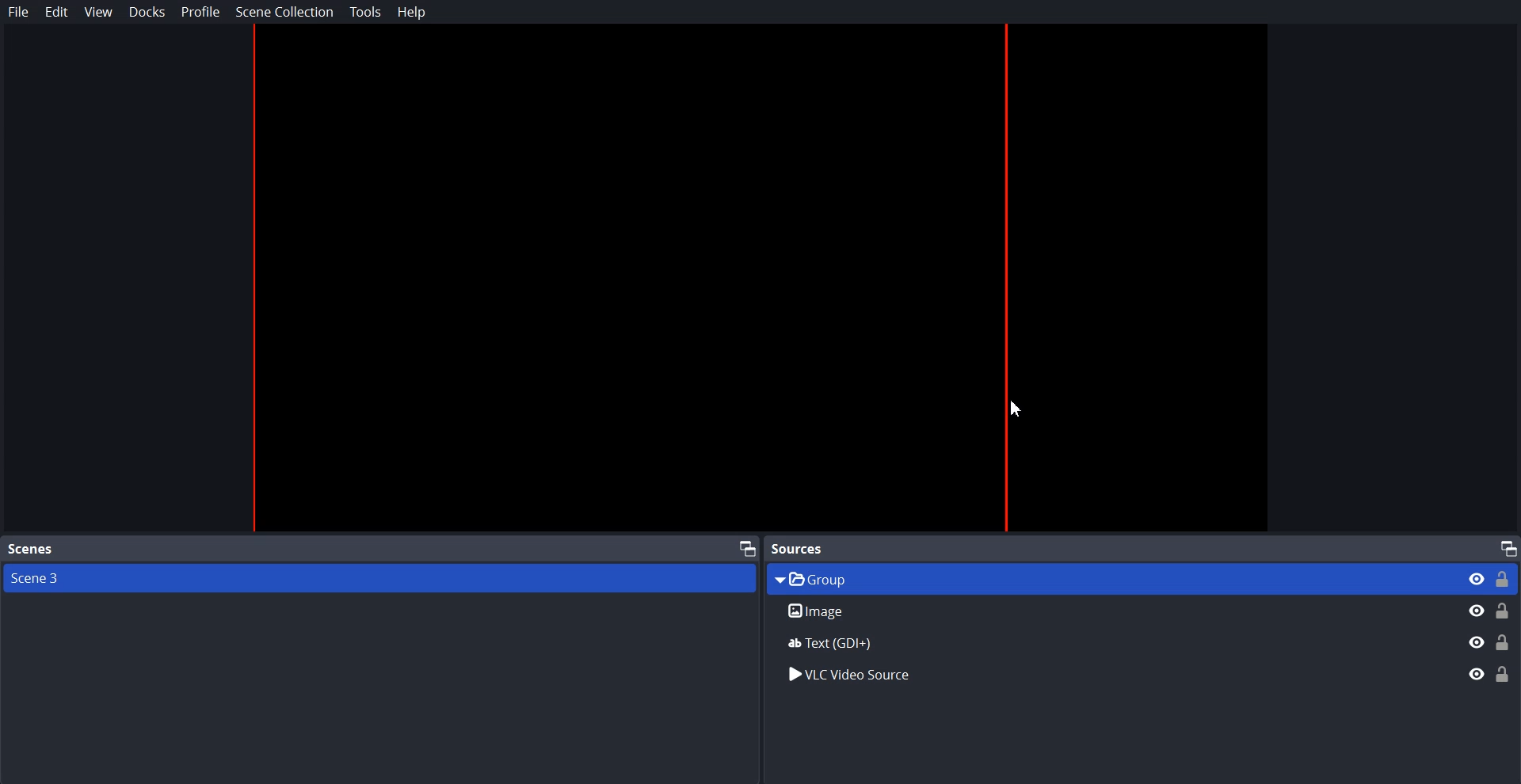 This screenshot has height=784, width=1521. Describe the element at coordinates (30, 550) in the screenshot. I see `Scenes` at that location.